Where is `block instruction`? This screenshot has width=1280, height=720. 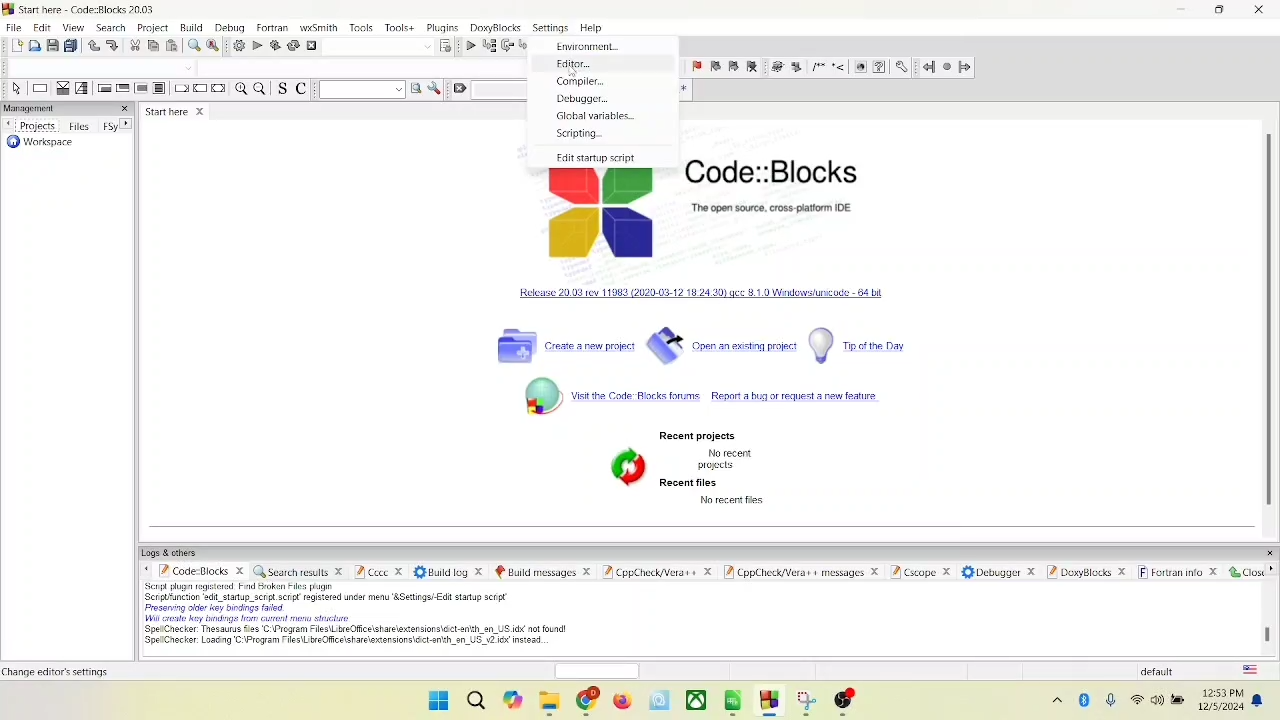 block instruction is located at coordinates (158, 88).